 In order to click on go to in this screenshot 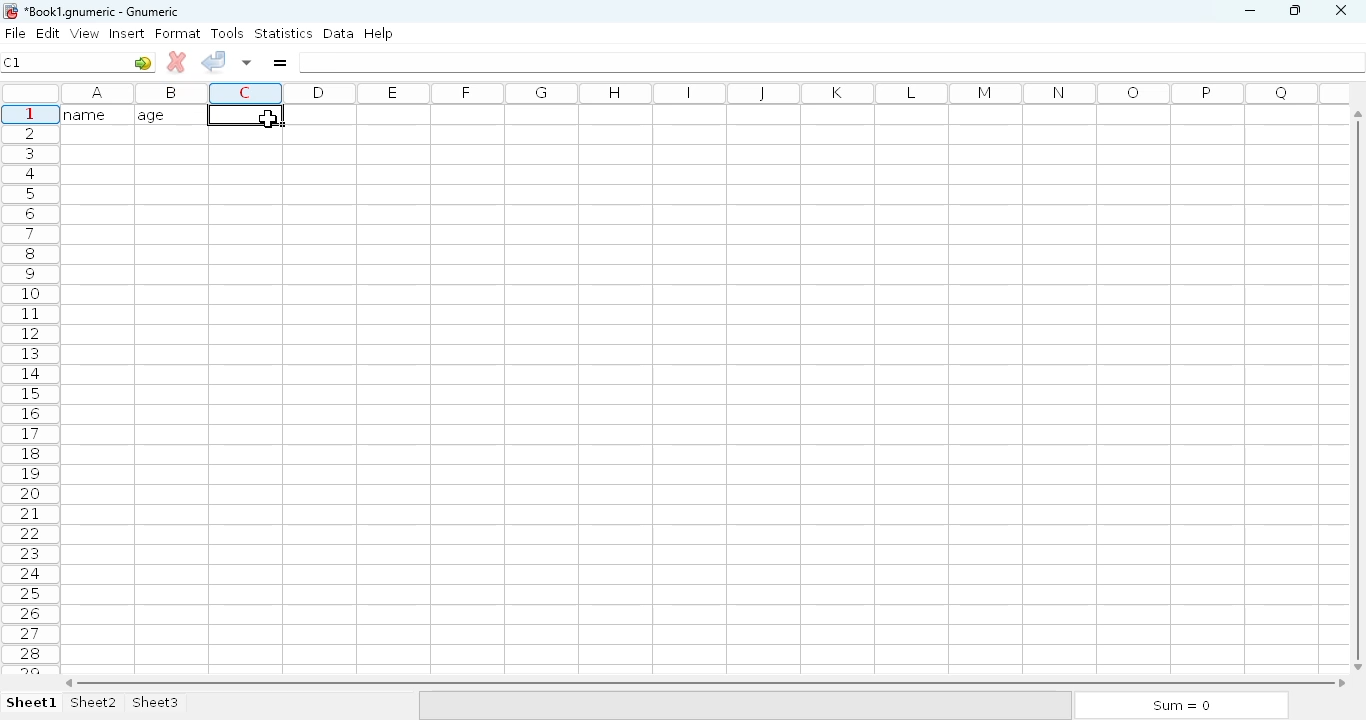, I will do `click(143, 62)`.